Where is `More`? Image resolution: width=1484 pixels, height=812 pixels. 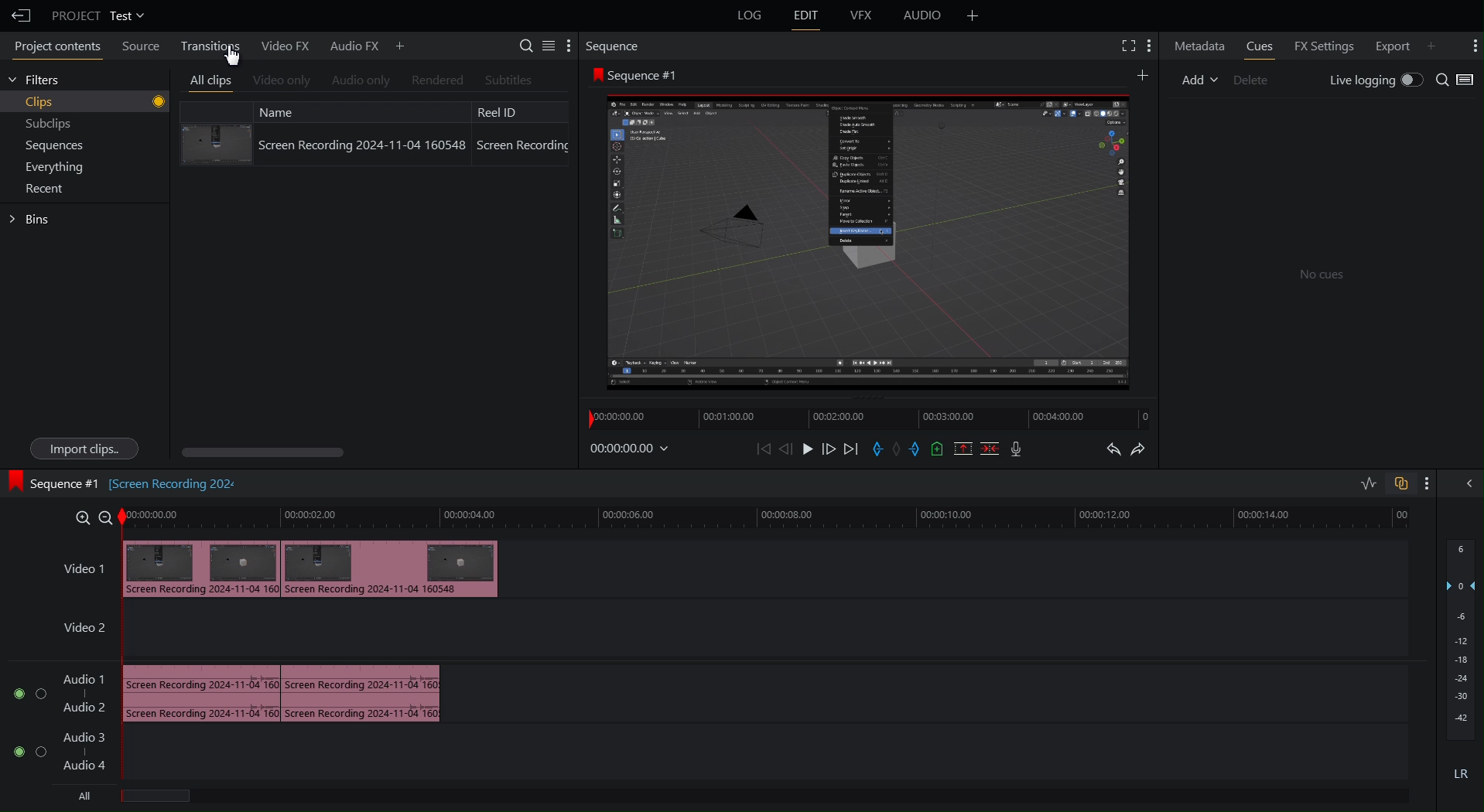 More is located at coordinates (1143, 73).